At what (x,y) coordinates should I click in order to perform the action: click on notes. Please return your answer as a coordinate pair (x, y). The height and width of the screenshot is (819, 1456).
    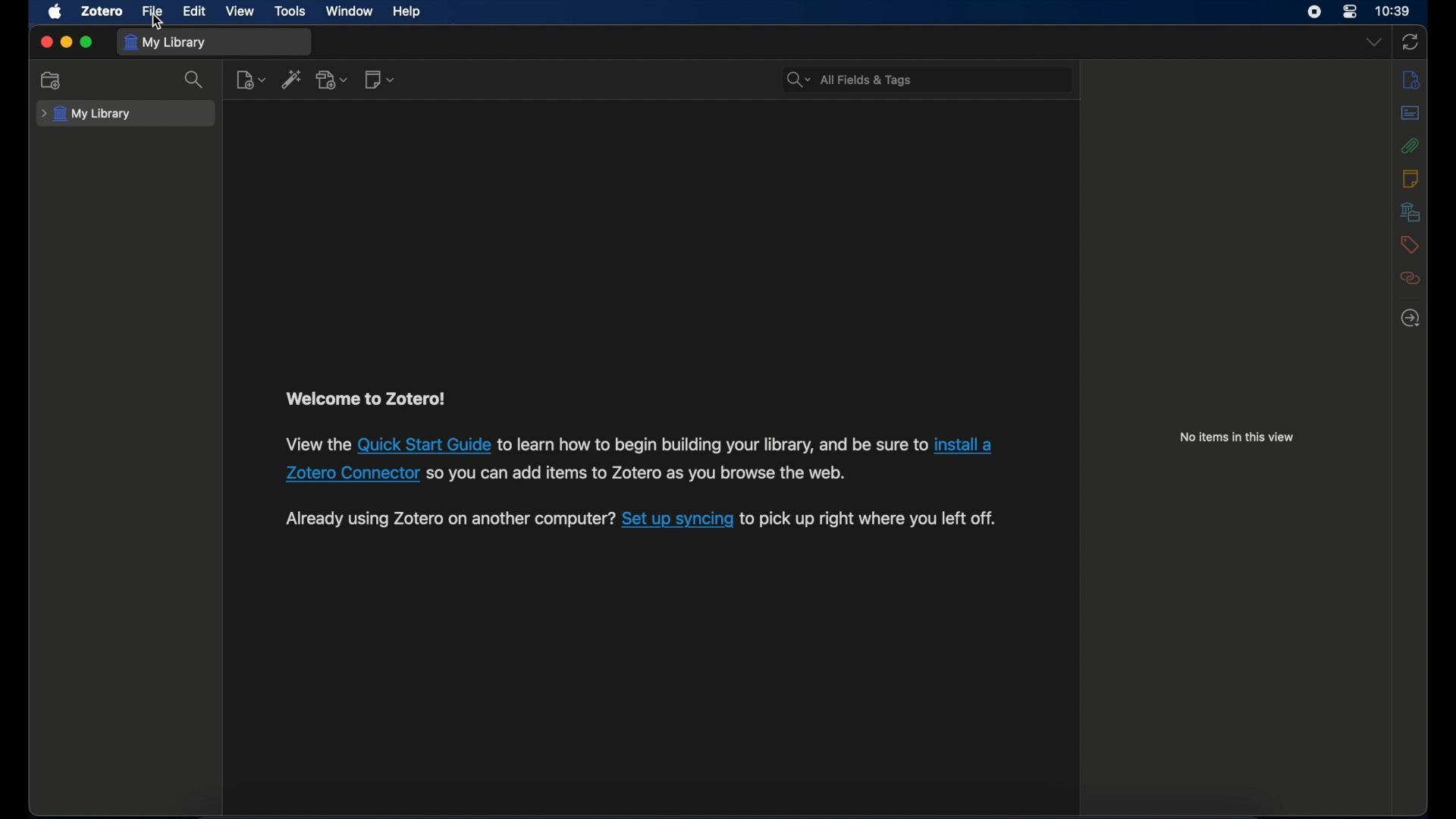
    Looking at the image, I should click on (1410, 178).